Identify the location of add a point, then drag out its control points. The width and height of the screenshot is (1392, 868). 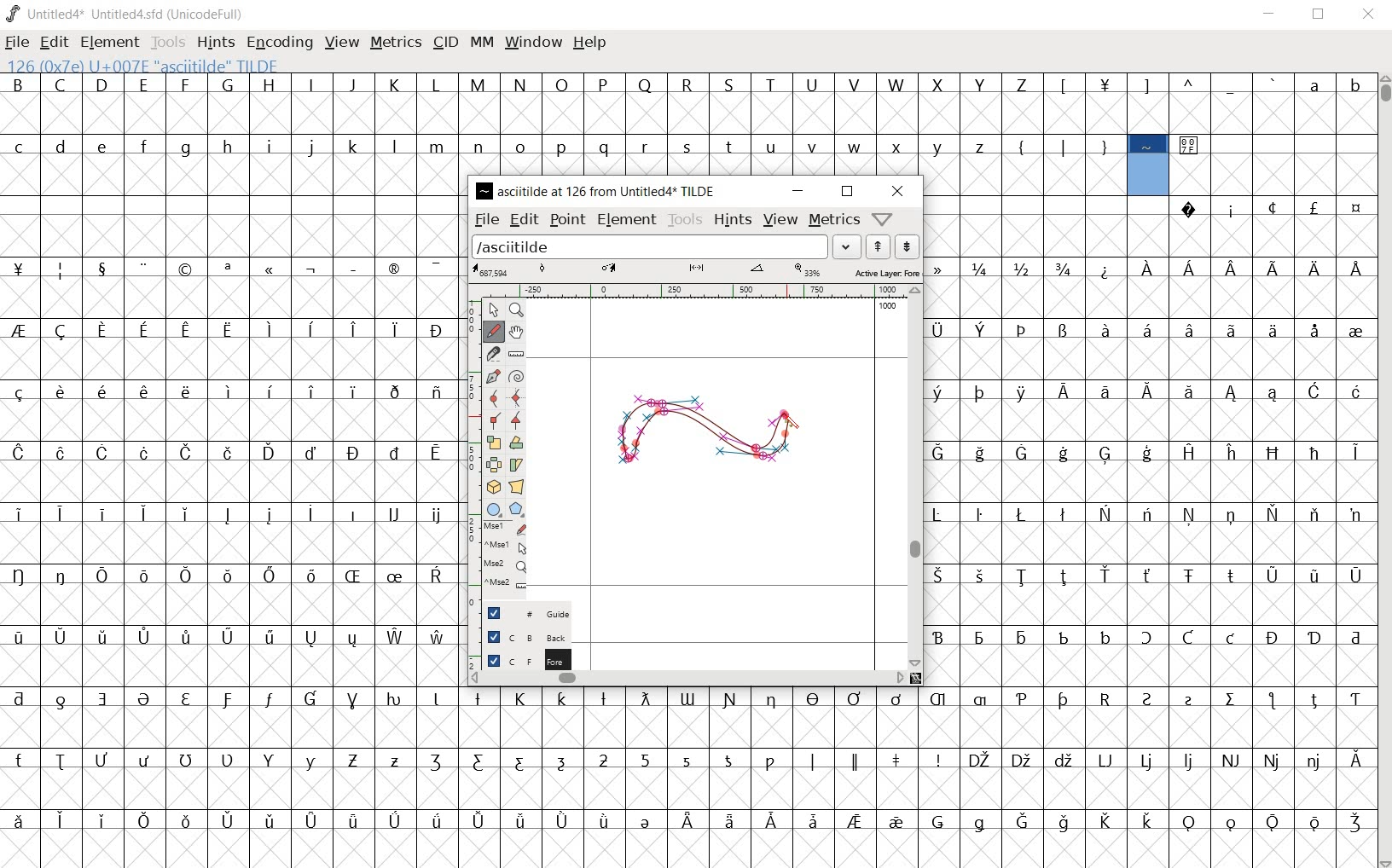
(491, 375).